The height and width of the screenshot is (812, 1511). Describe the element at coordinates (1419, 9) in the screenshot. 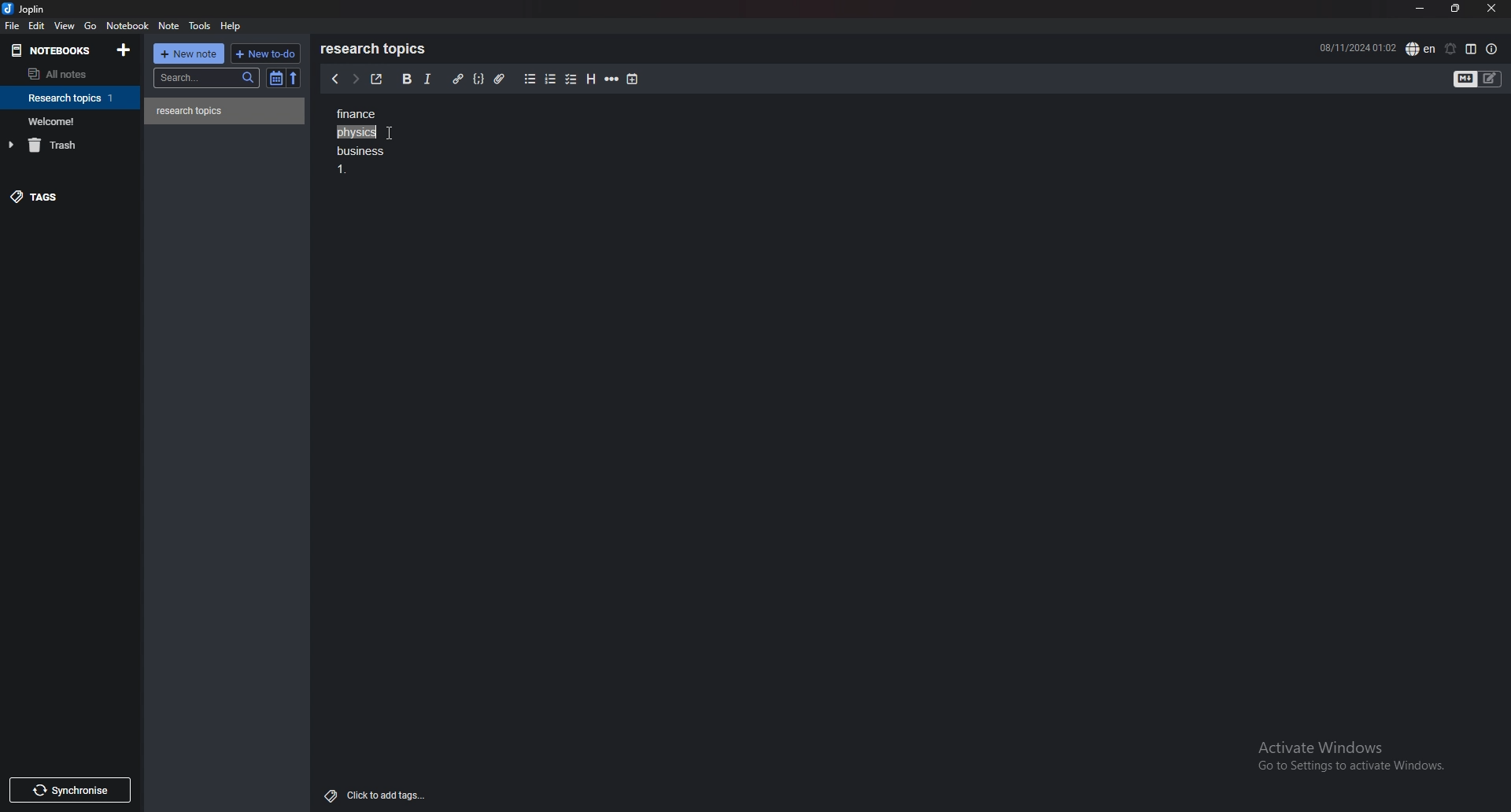

I see `minimize` at that location.